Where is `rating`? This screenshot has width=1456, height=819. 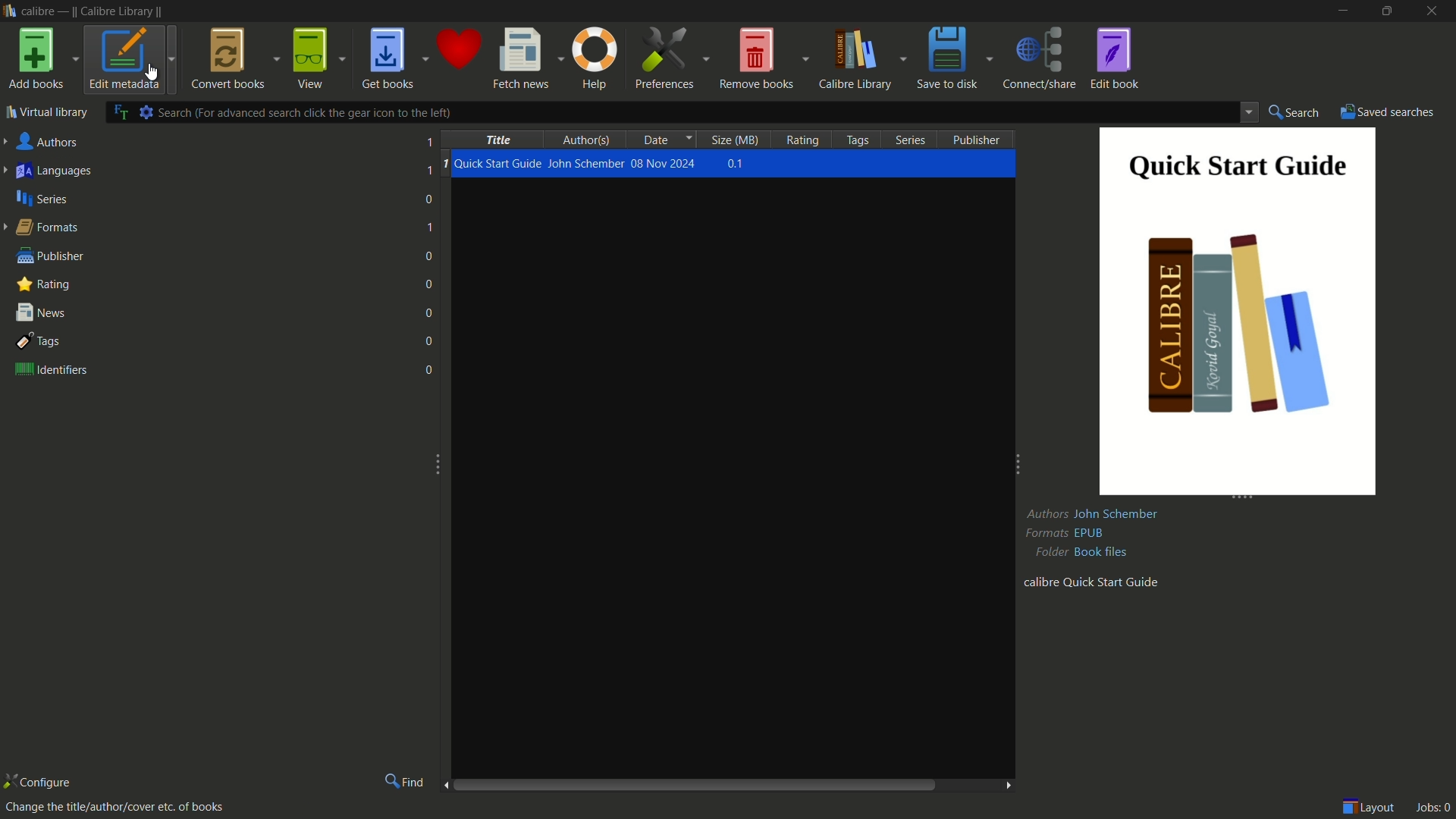
rating is located at coordinates (801, 140).